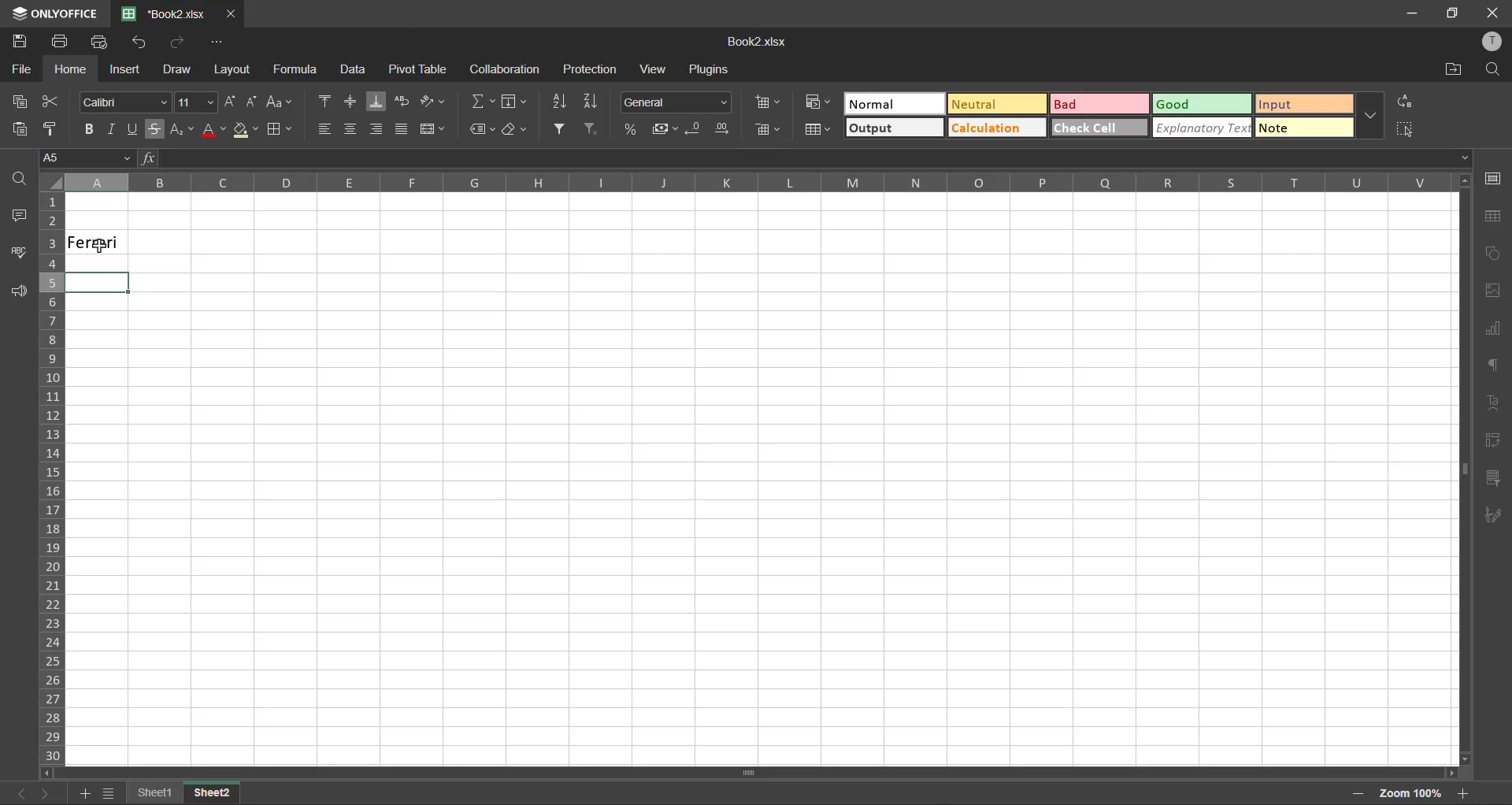 The image size is (1512, 805). Describe the element at coordinates (595, 101) in the screenshot. I see `sort descending` at that location.